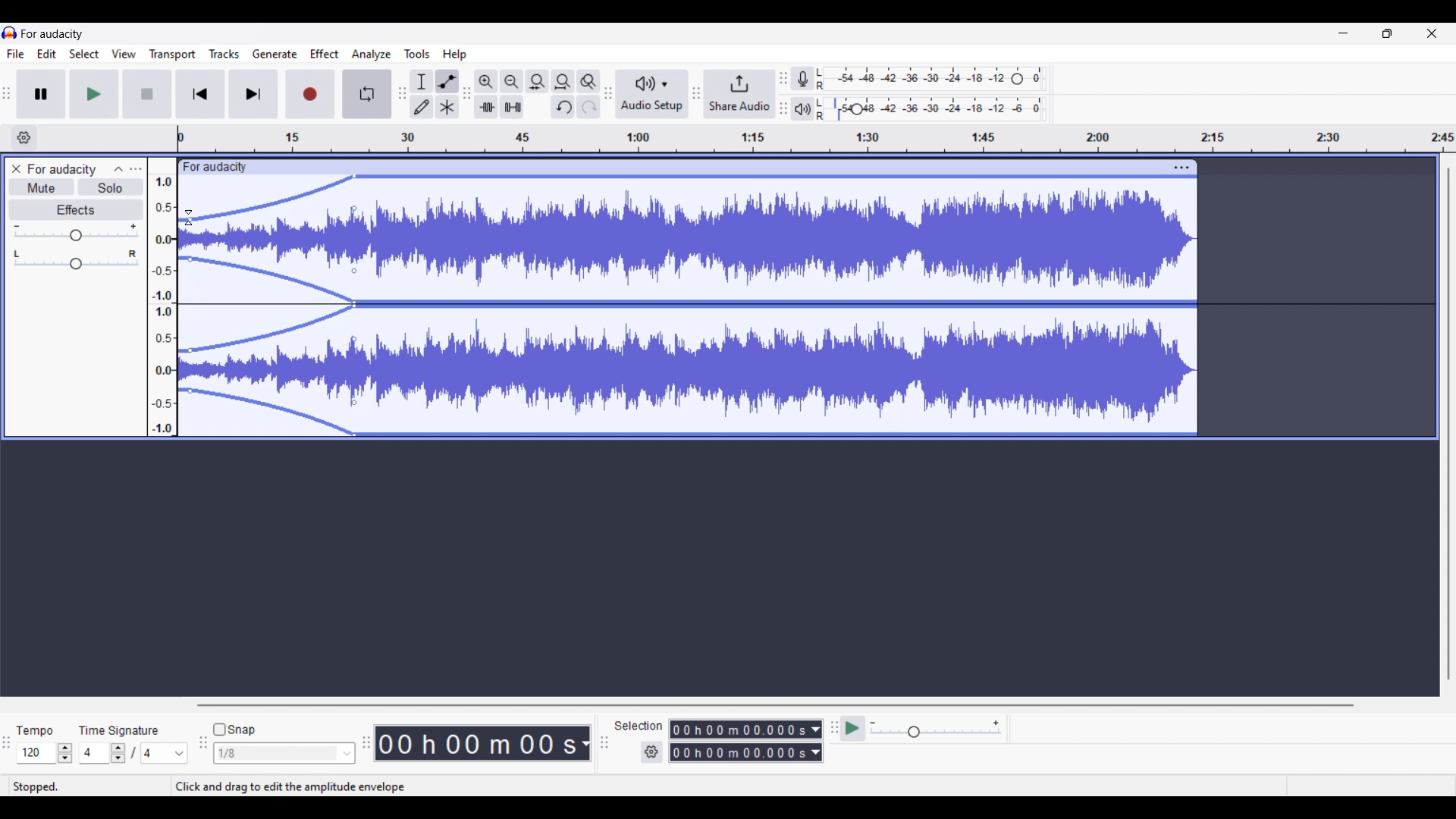 This screenshot has height=819, width=1456. What do you see at coordinates (802, 78) in the screenshot?
I see `Record meter` at bounding box center [802, 78].